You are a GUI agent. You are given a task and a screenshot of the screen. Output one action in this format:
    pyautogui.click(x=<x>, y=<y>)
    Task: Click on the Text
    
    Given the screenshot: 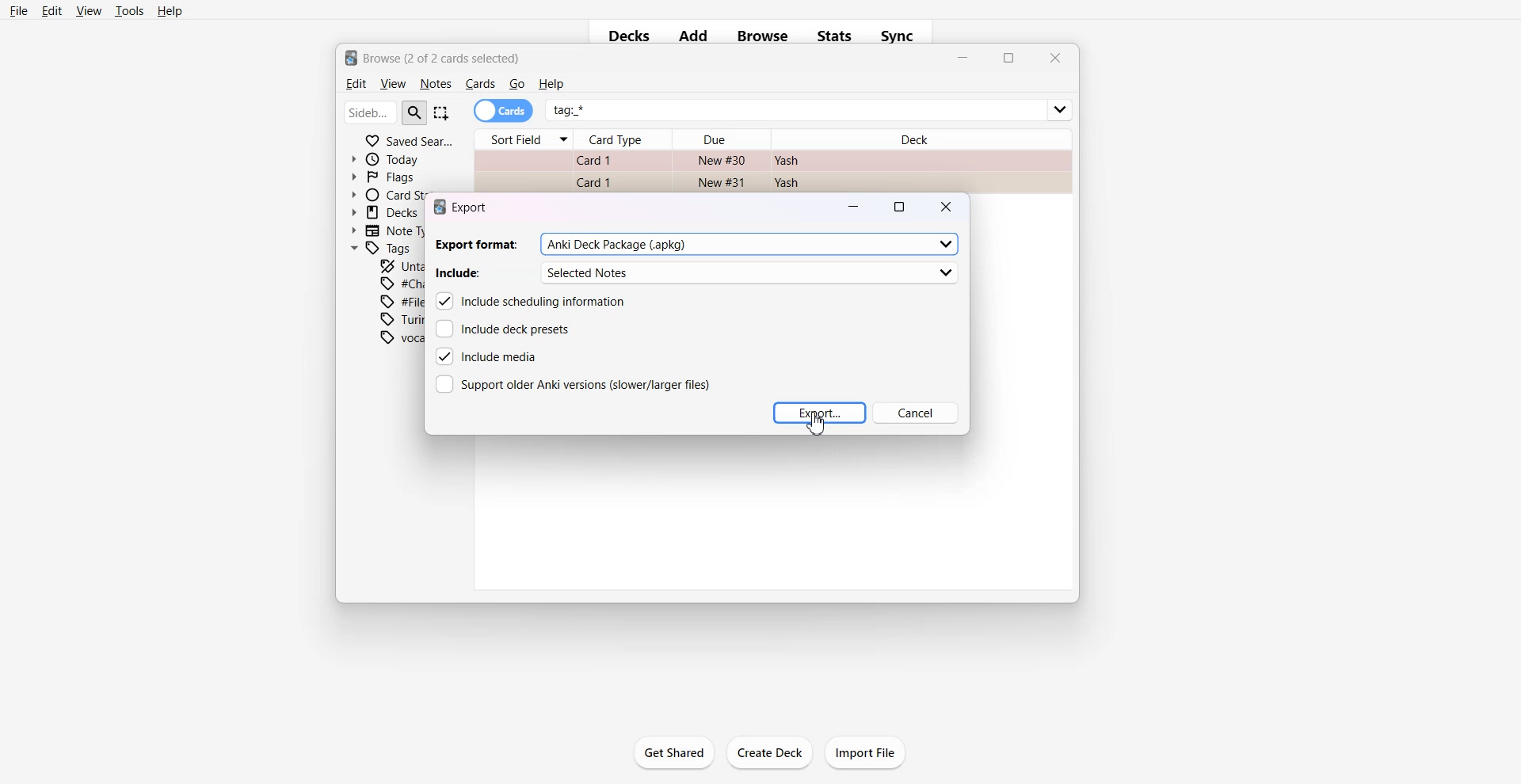 What is the action you would take?
    pyautogui.click(x=433, y=56)
    